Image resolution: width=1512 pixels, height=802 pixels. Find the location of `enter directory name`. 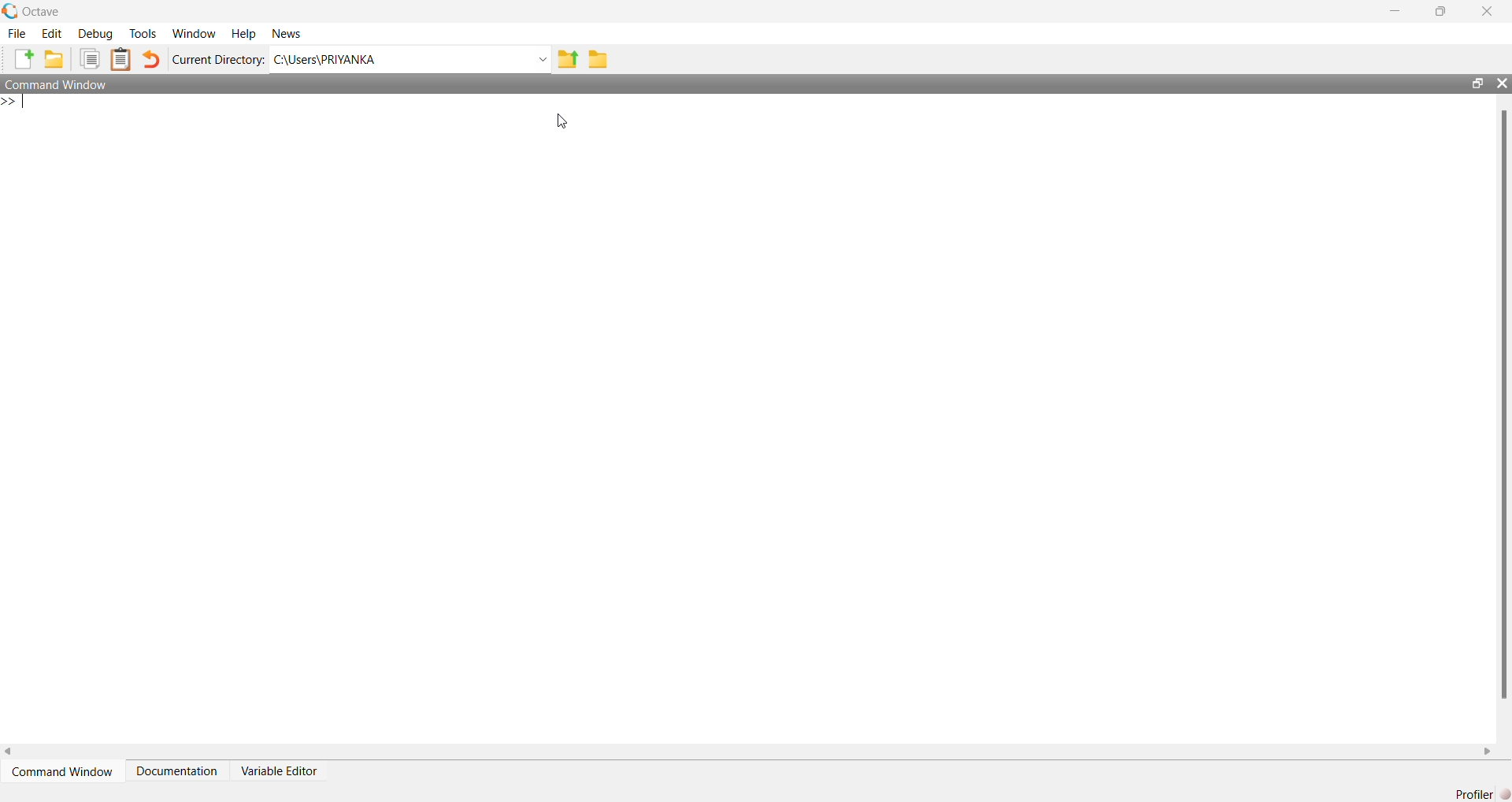

enter directory name is located at coordinates (410, 60).